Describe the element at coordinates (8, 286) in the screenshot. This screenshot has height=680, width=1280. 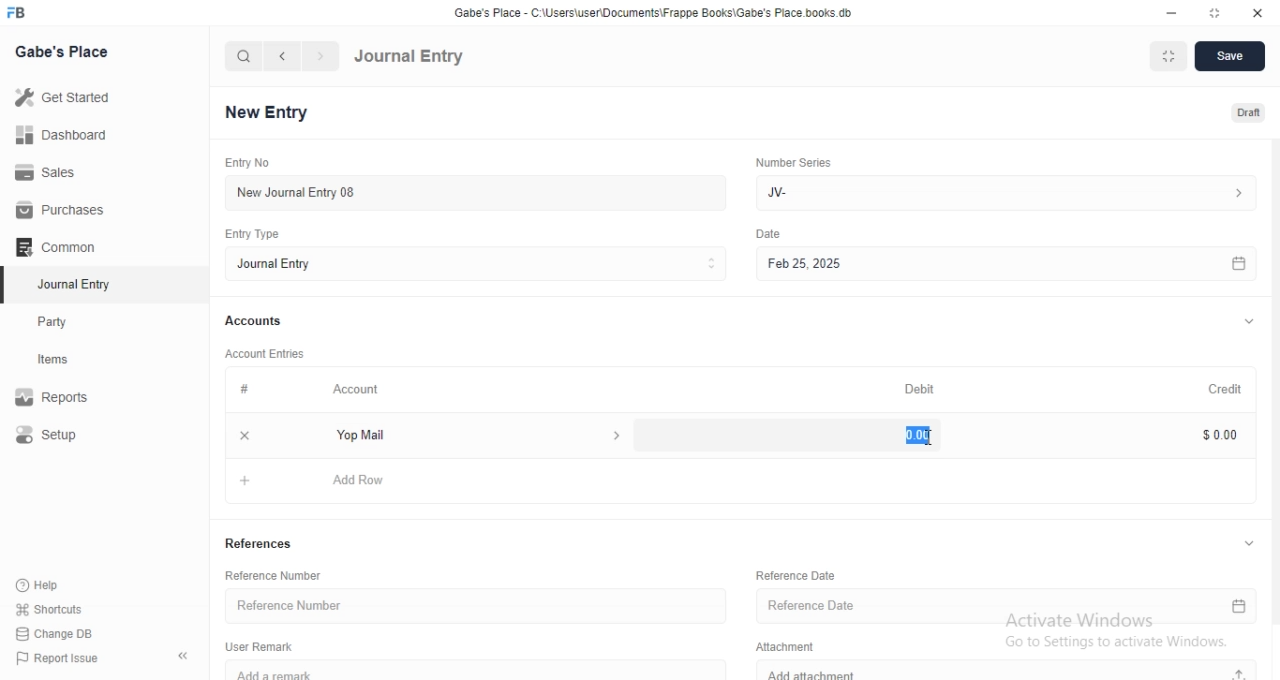
I see `selected` at that location.